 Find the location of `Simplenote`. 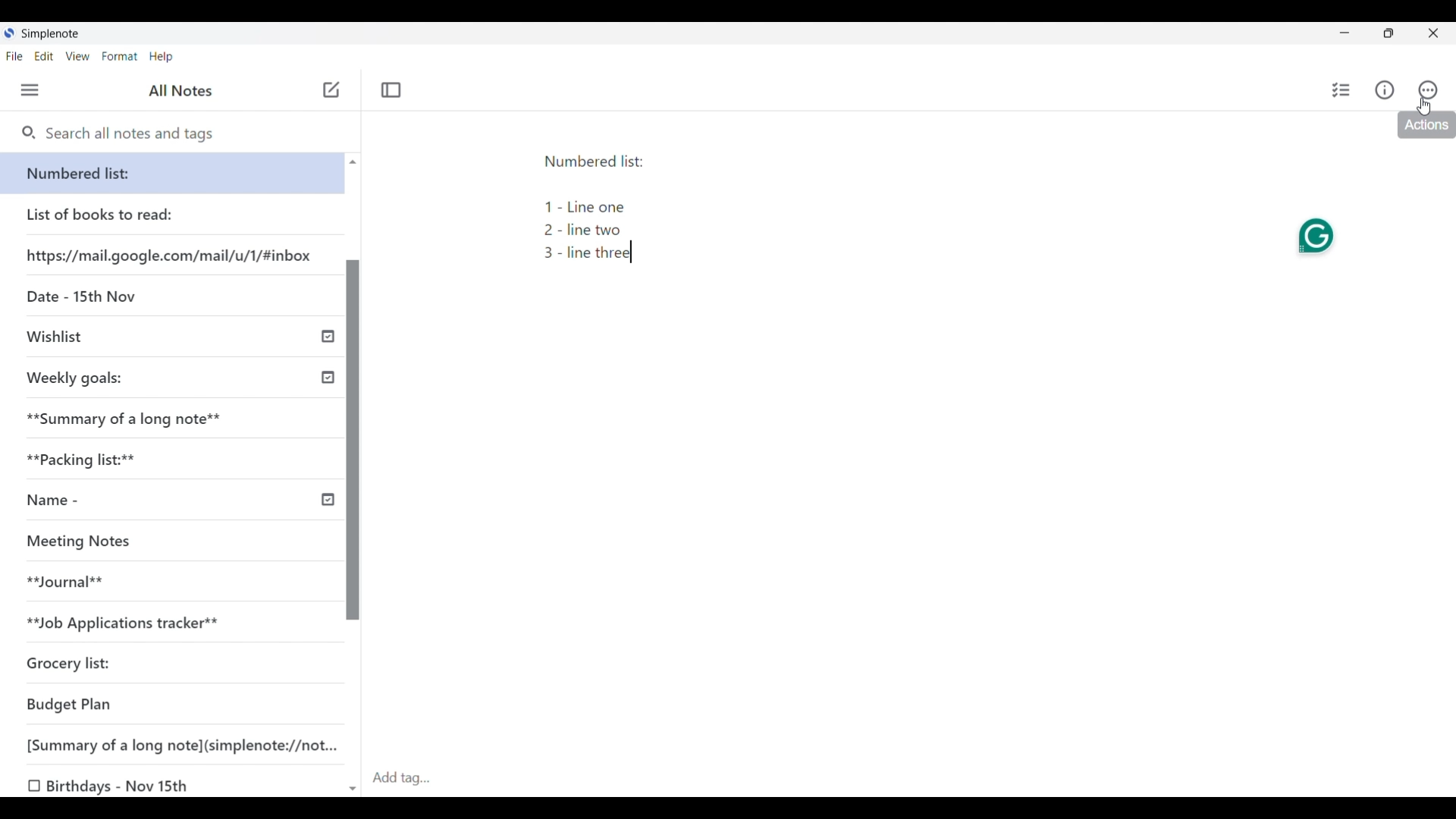

Simplenote is located at coordinates (51, 33).